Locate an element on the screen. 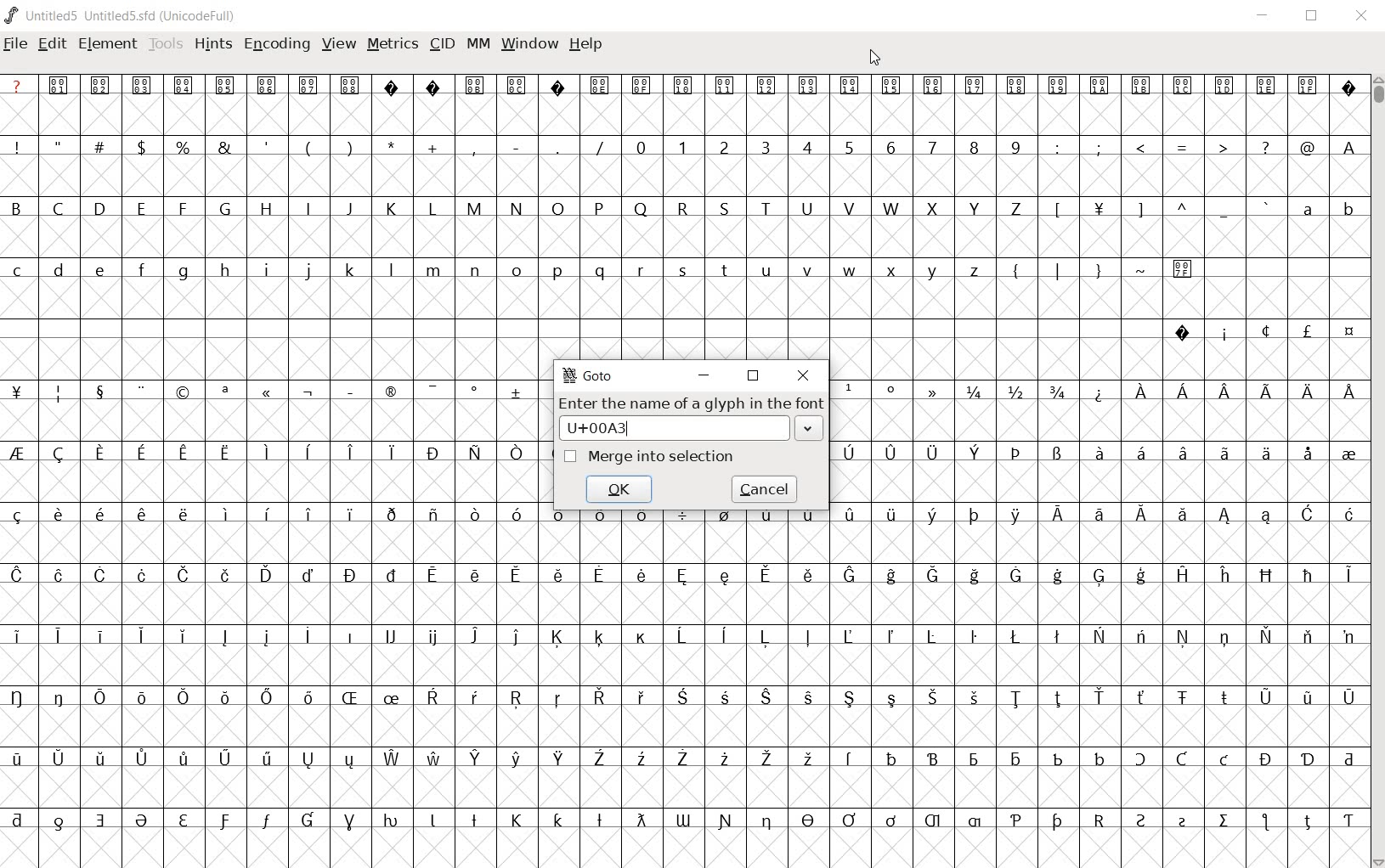 This screenshot has width=1385, height=868. t is located at coordinates (725, 270).